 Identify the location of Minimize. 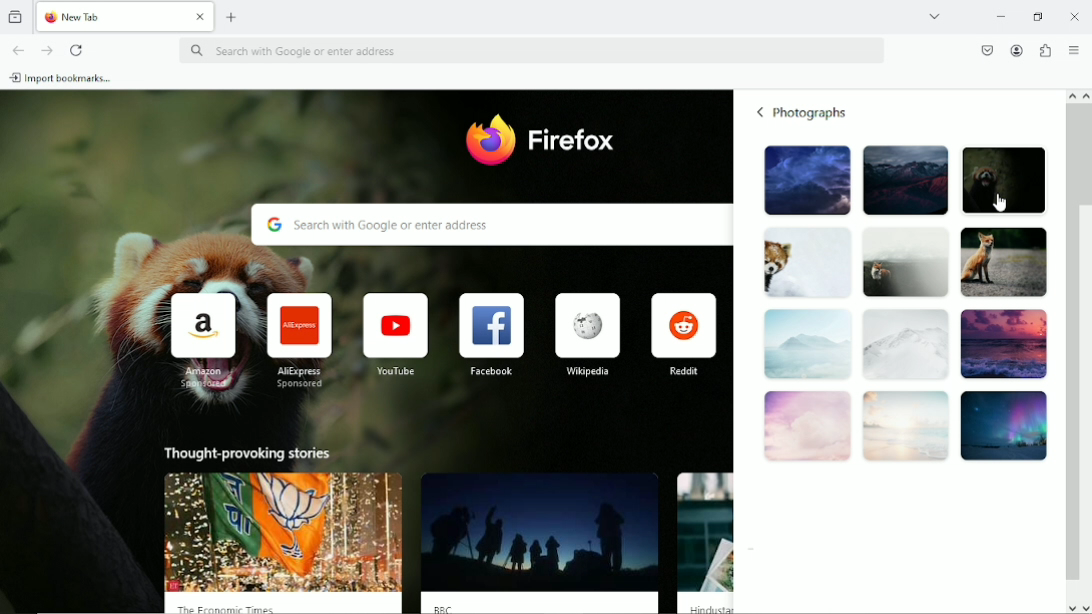
(1002, 15).